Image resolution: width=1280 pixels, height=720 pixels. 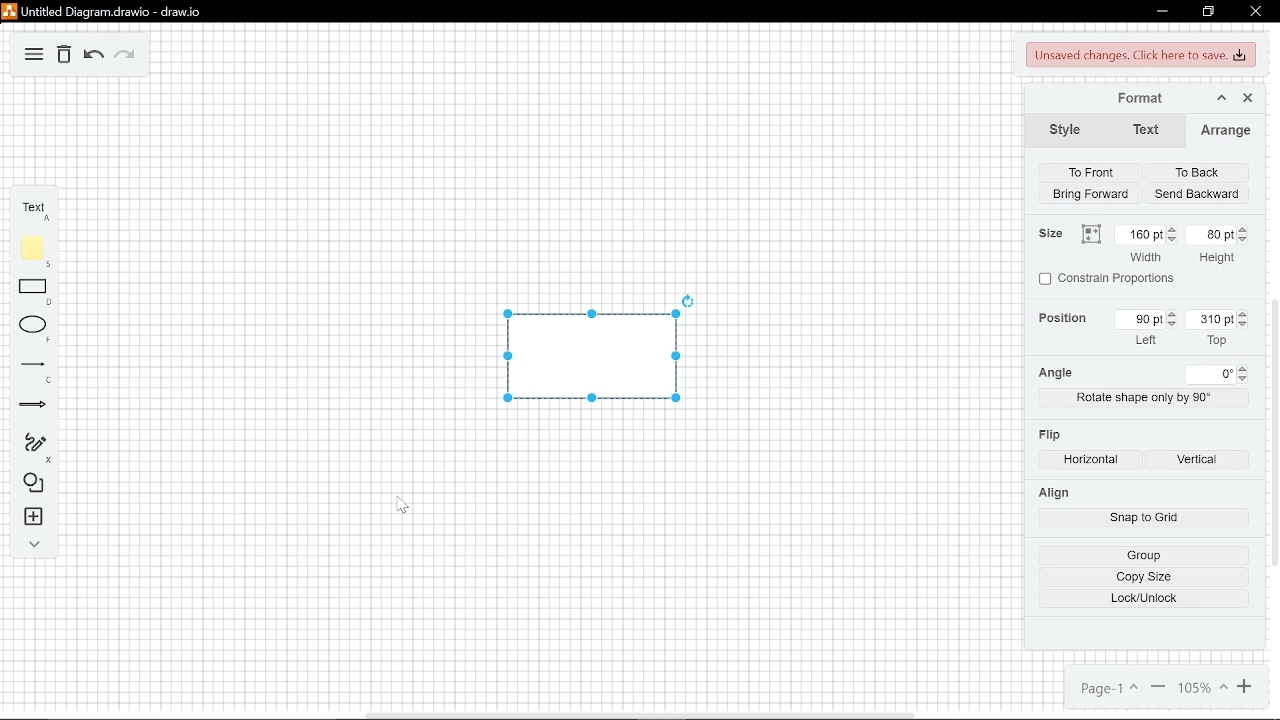 I want to click on snap to grid, so click(x=1144, y=518).